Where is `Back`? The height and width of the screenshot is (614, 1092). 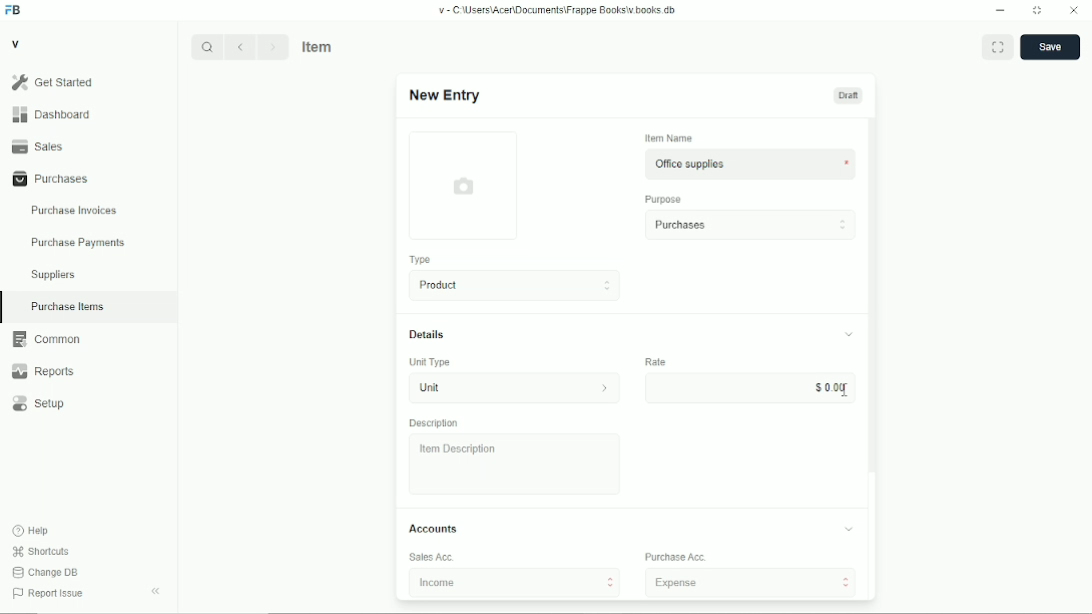
Back is located at coordinates (239, 46).